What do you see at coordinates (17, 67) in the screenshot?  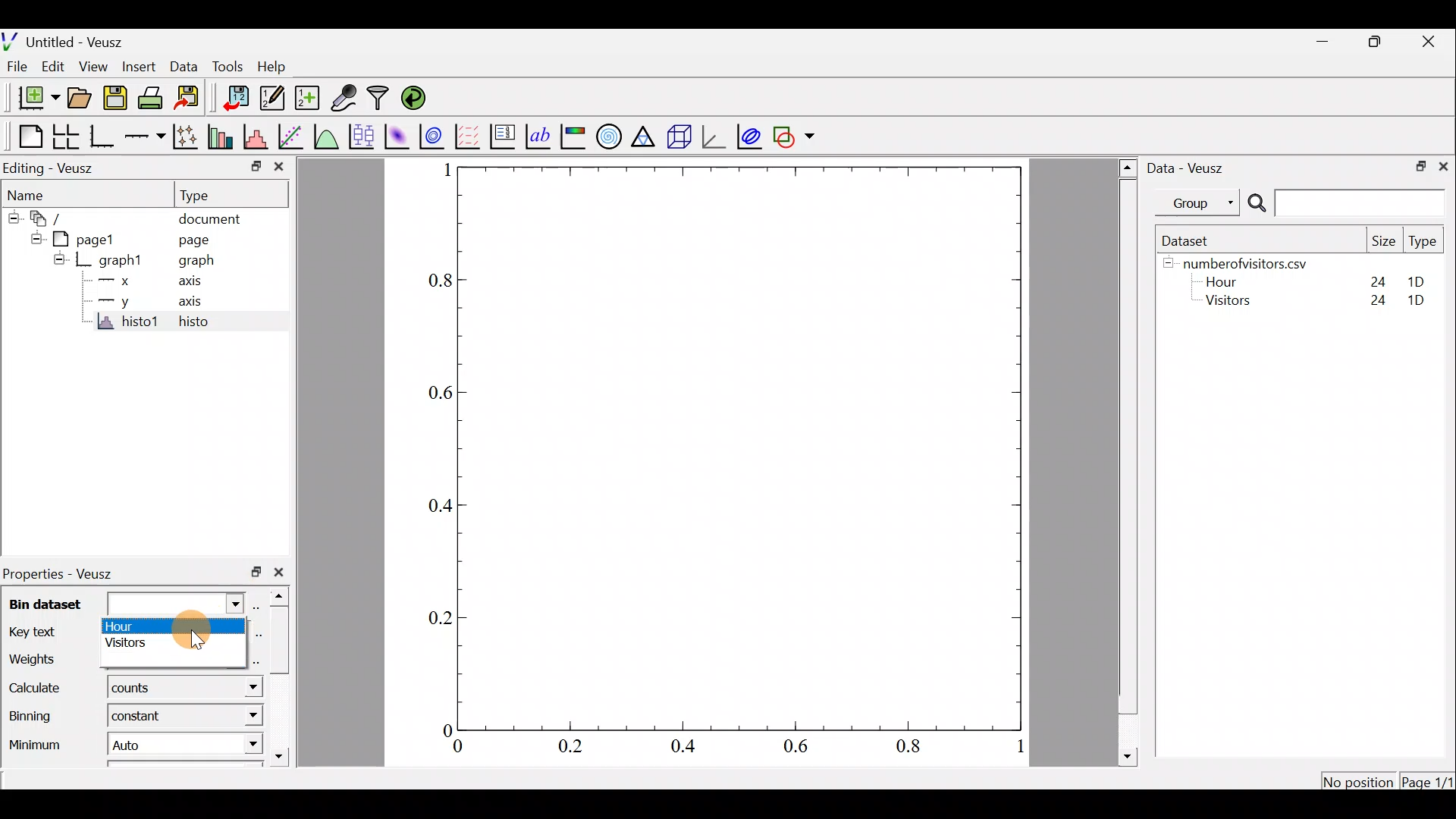 I see `File` at bounding box center [17, 67].